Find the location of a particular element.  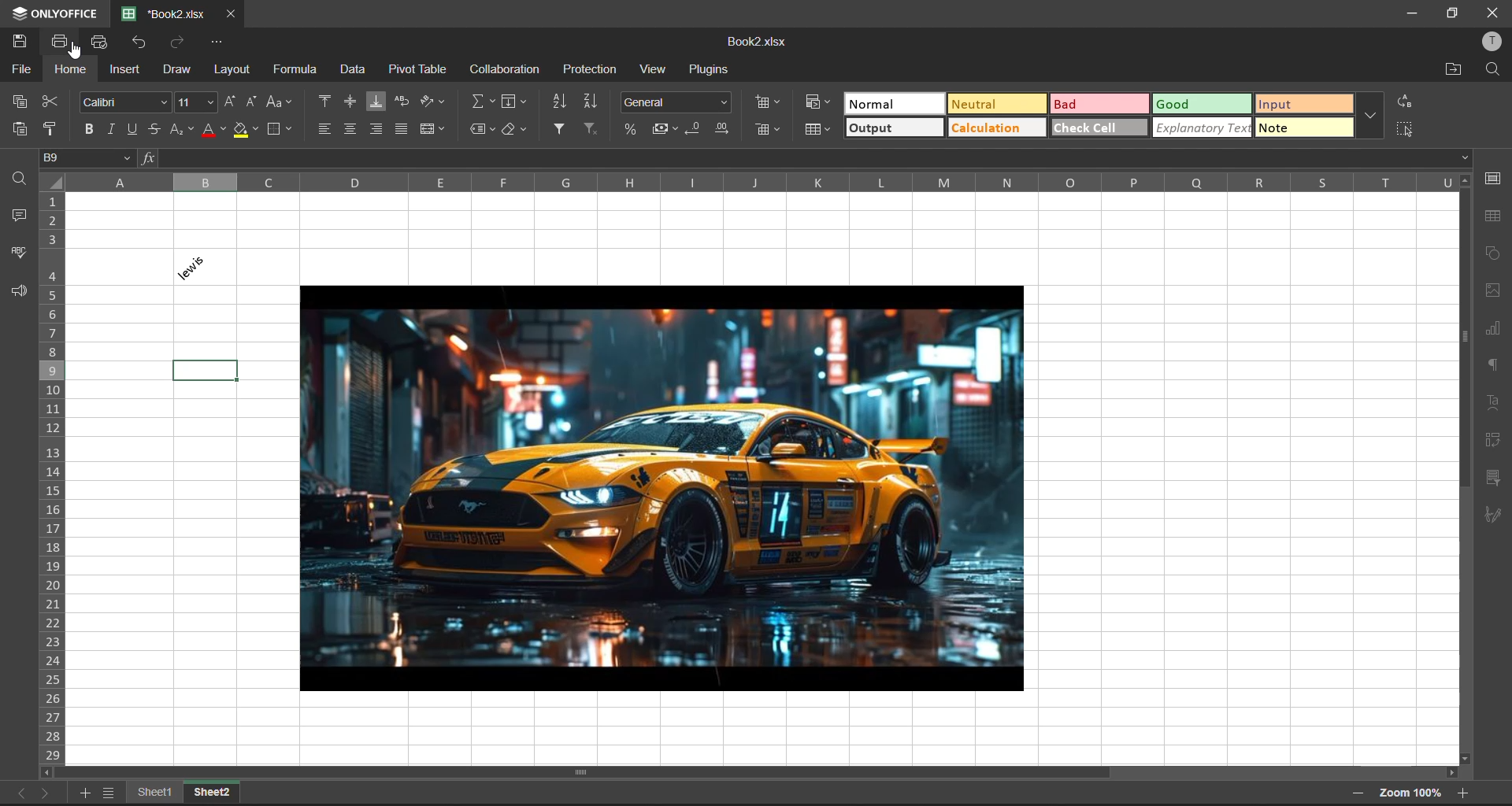

align center is located at coordinates (349, 131).